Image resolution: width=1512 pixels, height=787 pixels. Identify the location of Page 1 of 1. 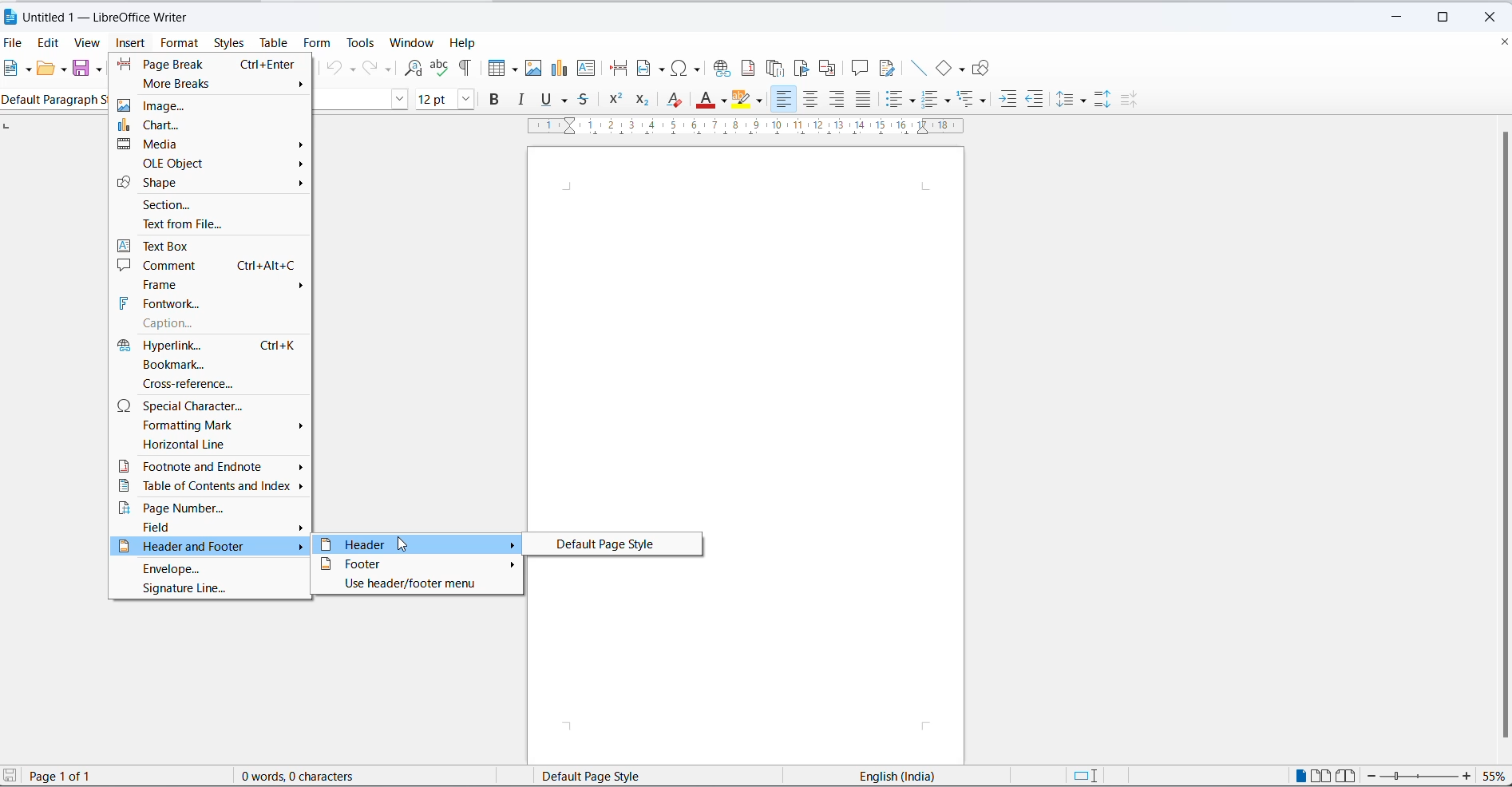
(86, 776).